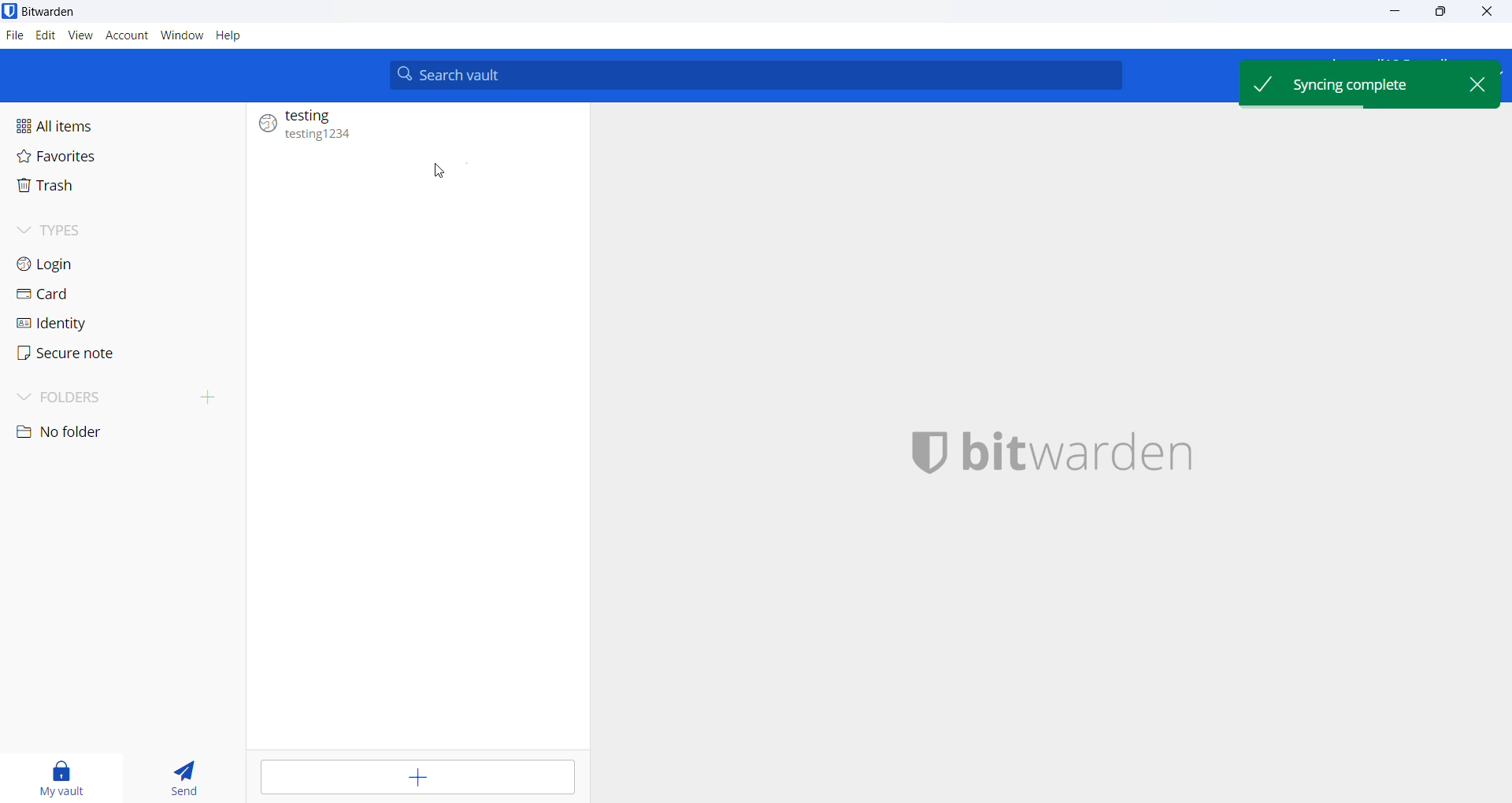  What do you see at coordinates (74, 124) in the screenshot?
I see `all items` at bounding box center [74, 124].